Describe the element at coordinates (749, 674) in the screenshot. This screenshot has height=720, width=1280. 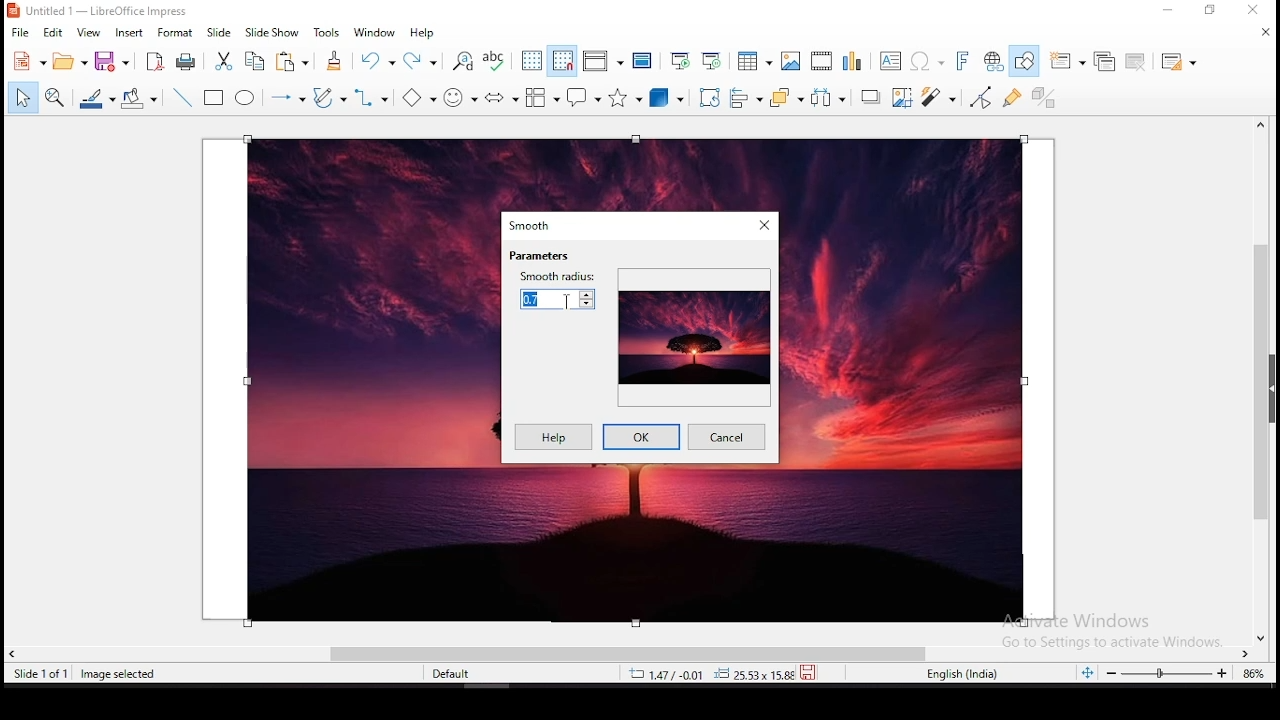
I see `0.00x0.00` at that location.